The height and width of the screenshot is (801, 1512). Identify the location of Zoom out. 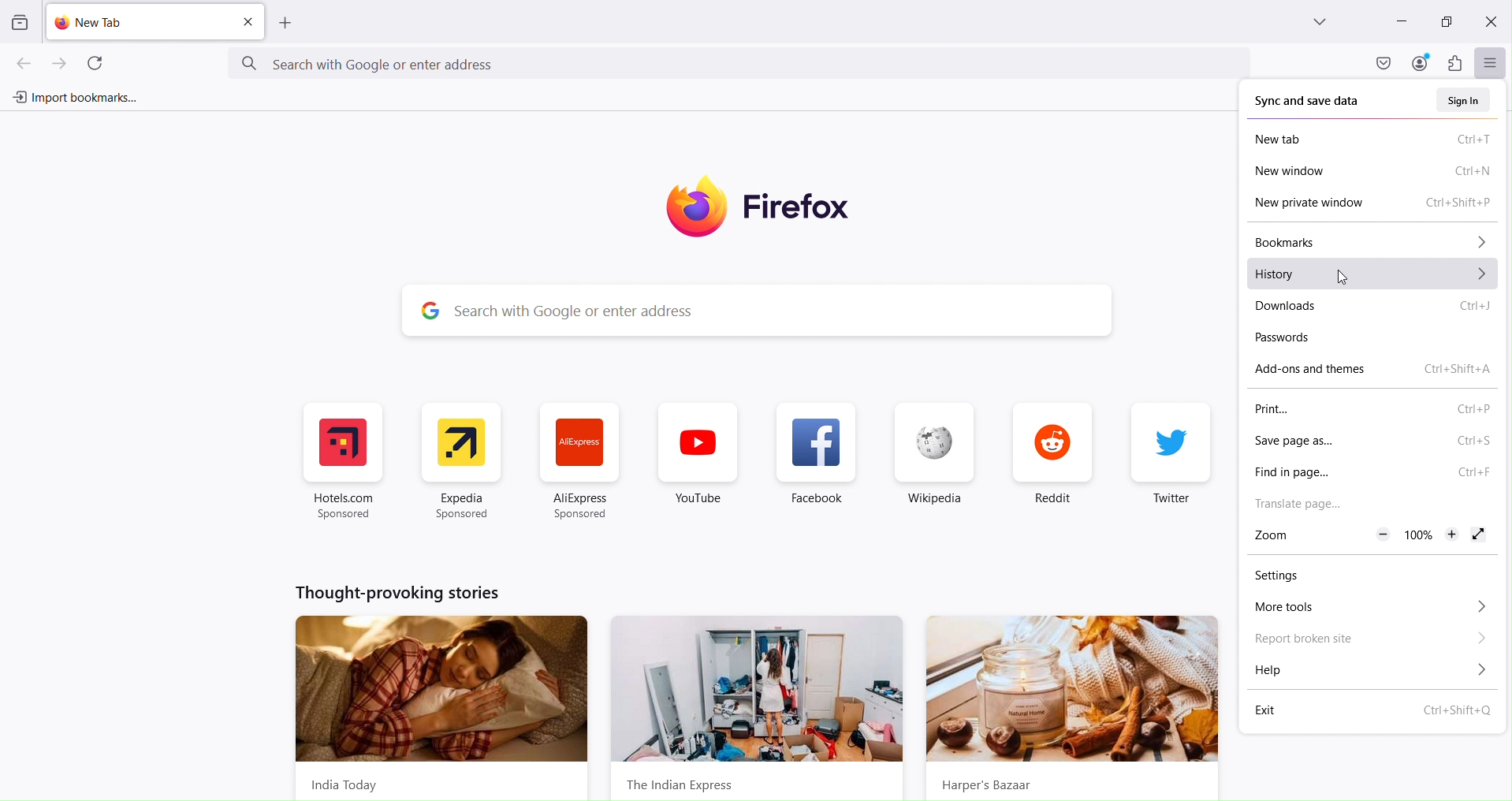
(1383, 535).